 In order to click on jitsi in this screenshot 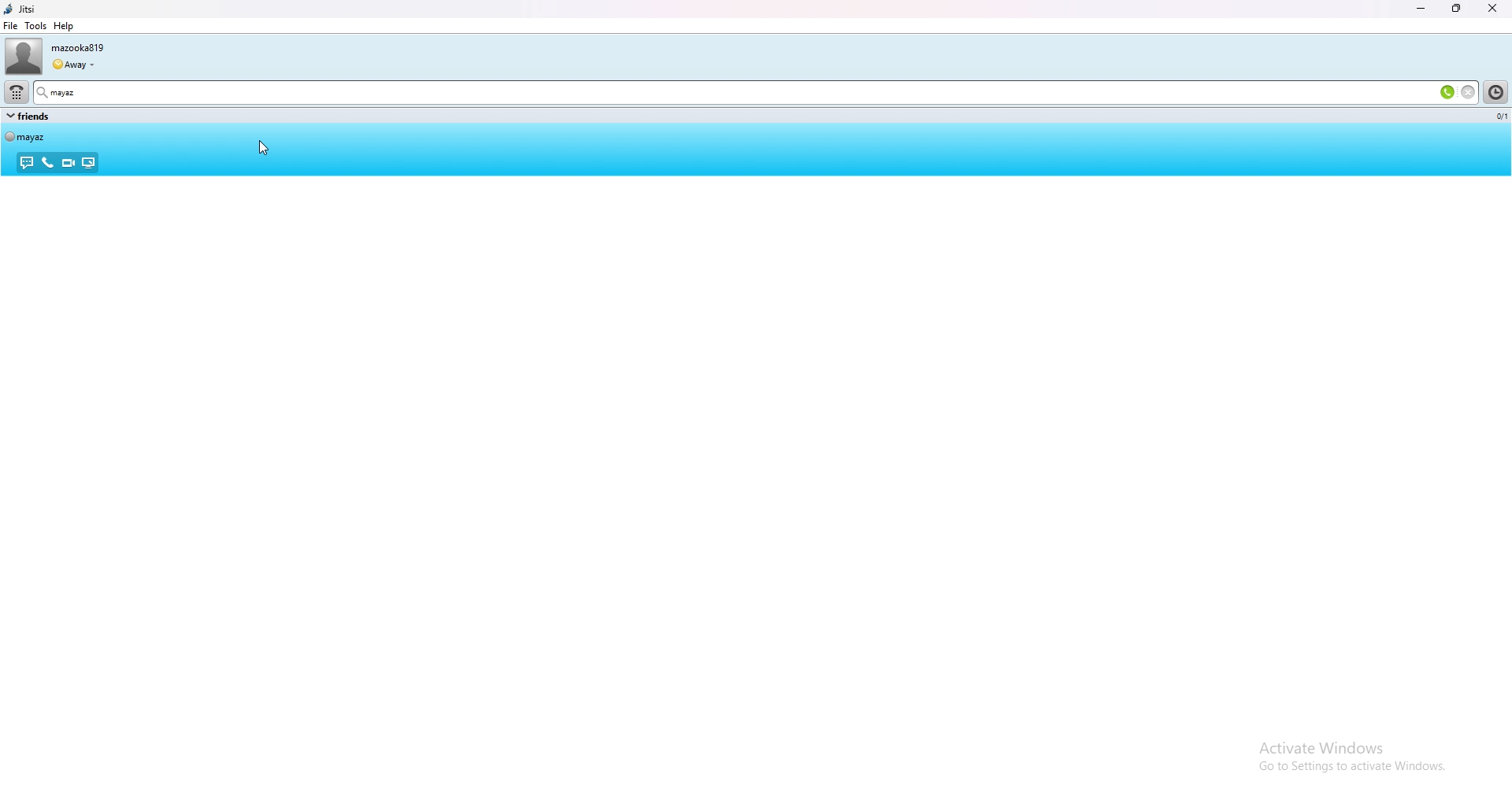, I will do `click(50, 9)`.